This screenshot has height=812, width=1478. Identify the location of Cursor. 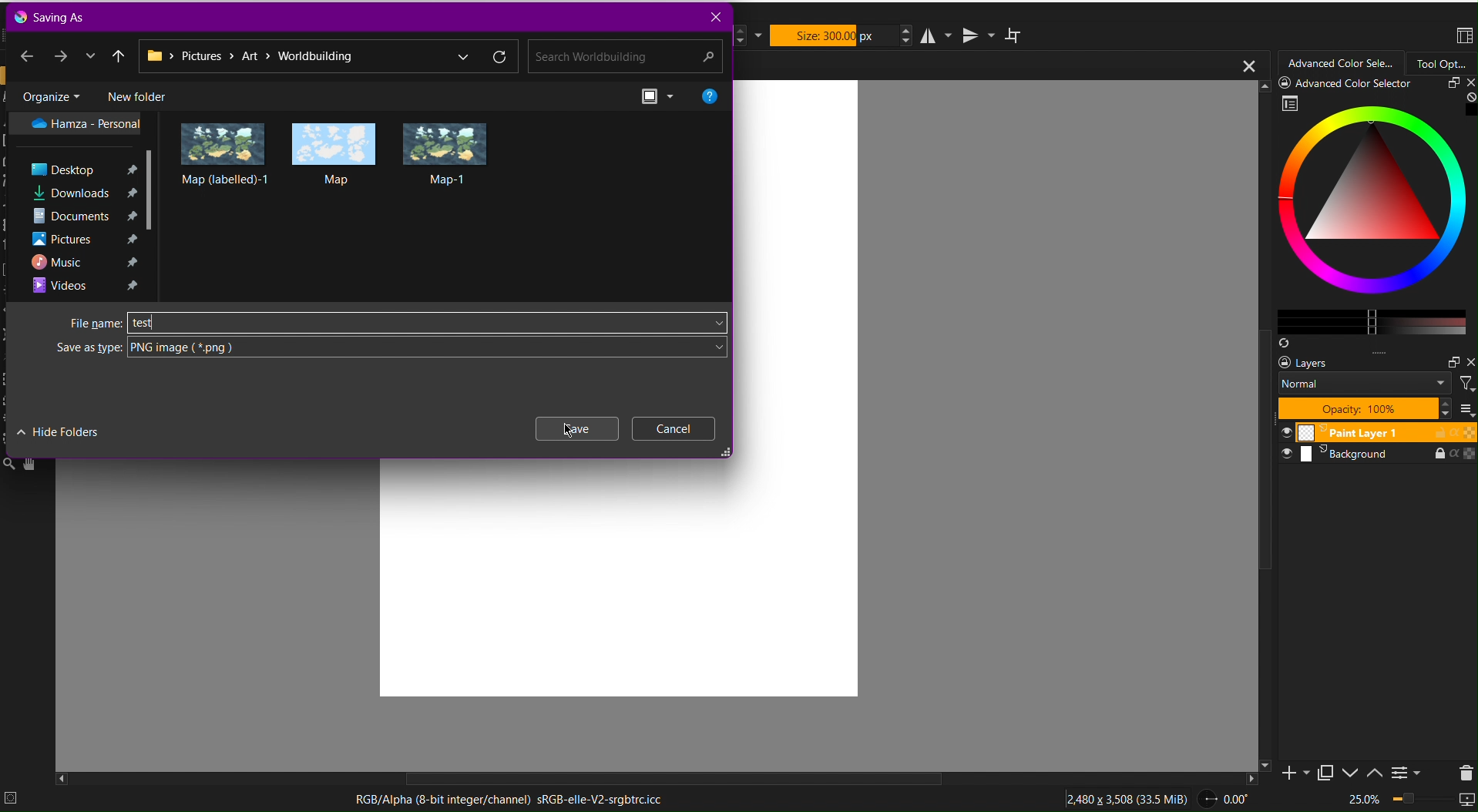
(569, 431).